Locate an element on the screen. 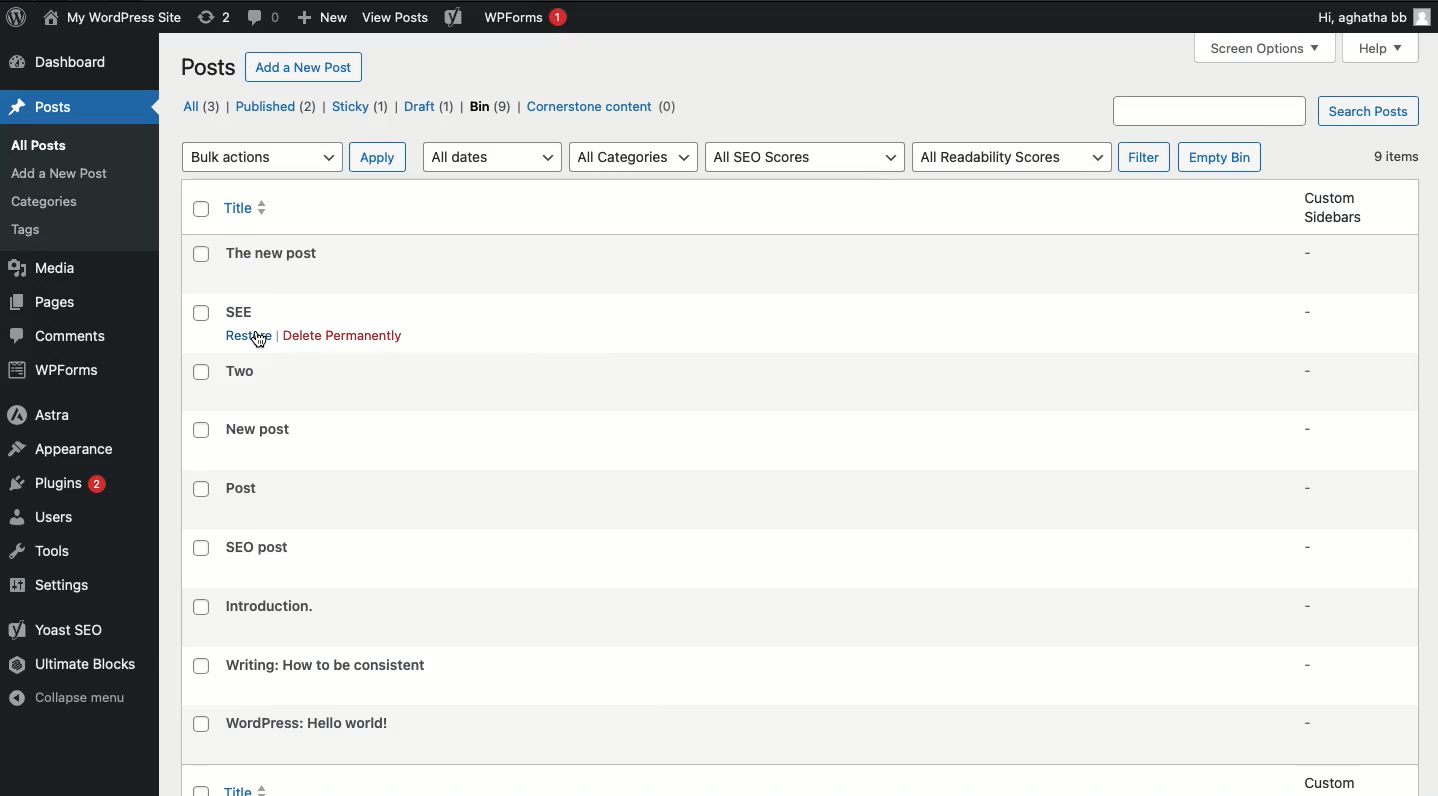 The image size is (1438, 796). Bin is located at coordinates (491, 107).